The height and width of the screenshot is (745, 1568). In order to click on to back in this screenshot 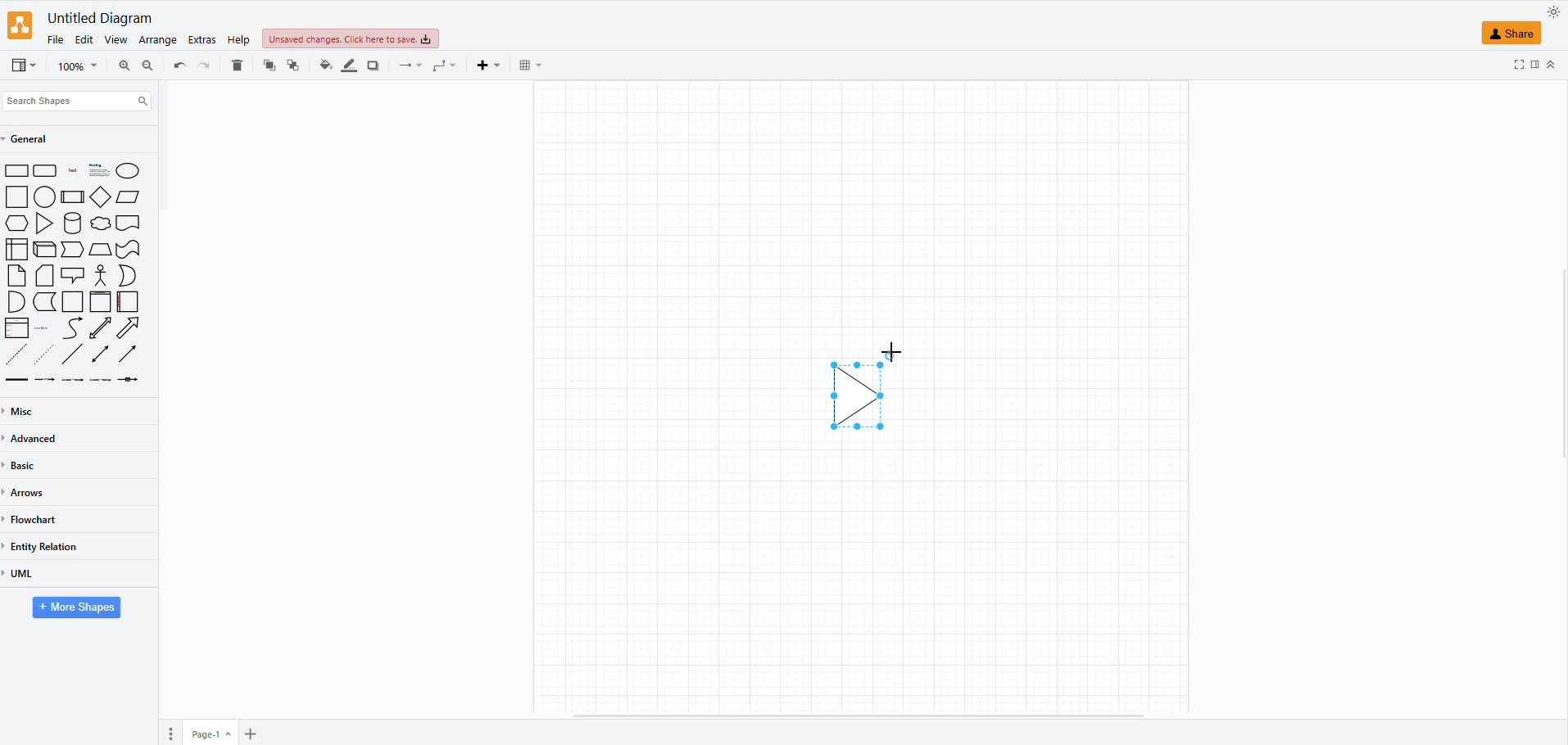, I will do `click(268, 65)`.